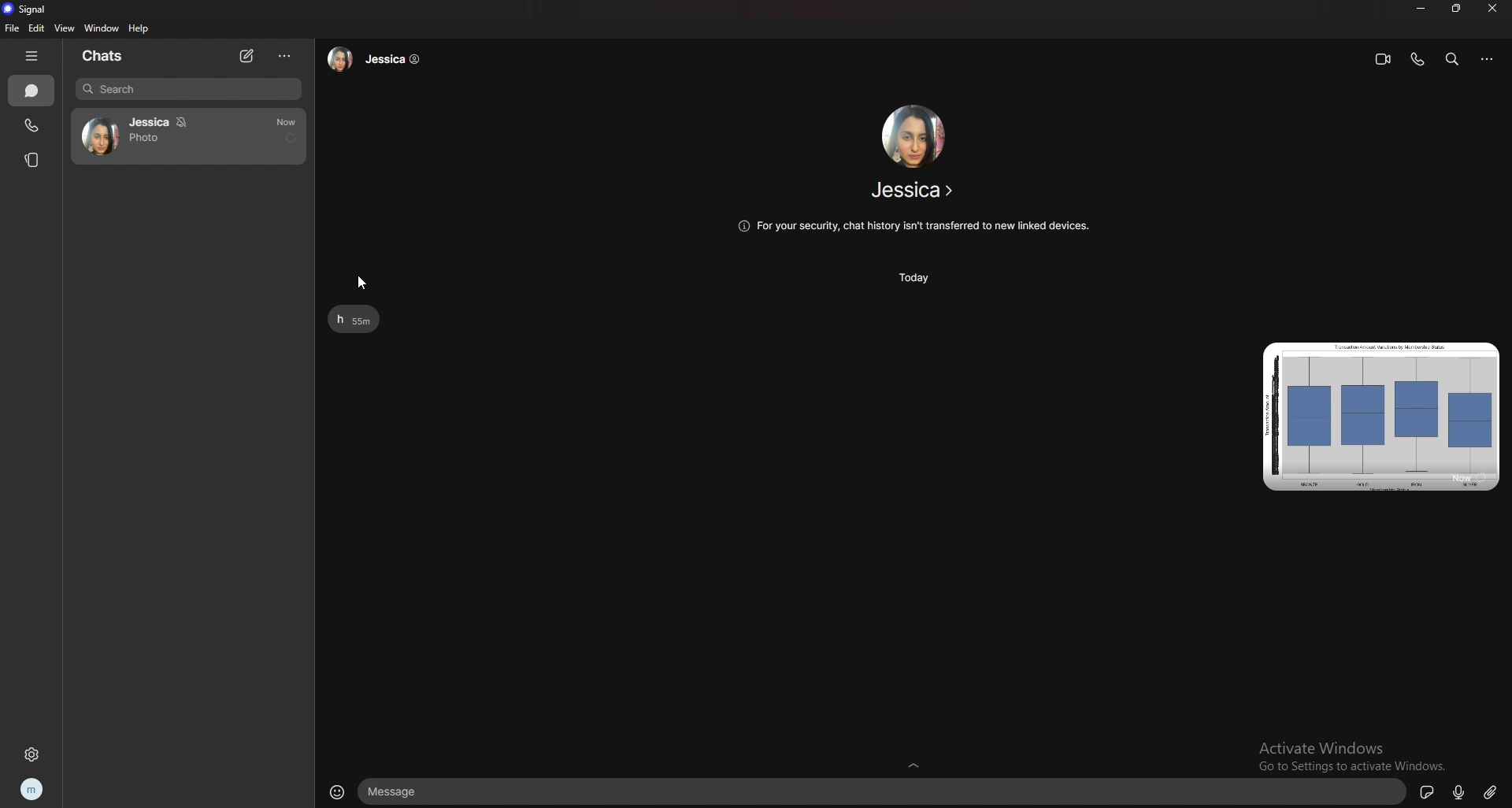 The width and height of the screenshot is (1512, 808). I want to click on options, so click(1488, 59).